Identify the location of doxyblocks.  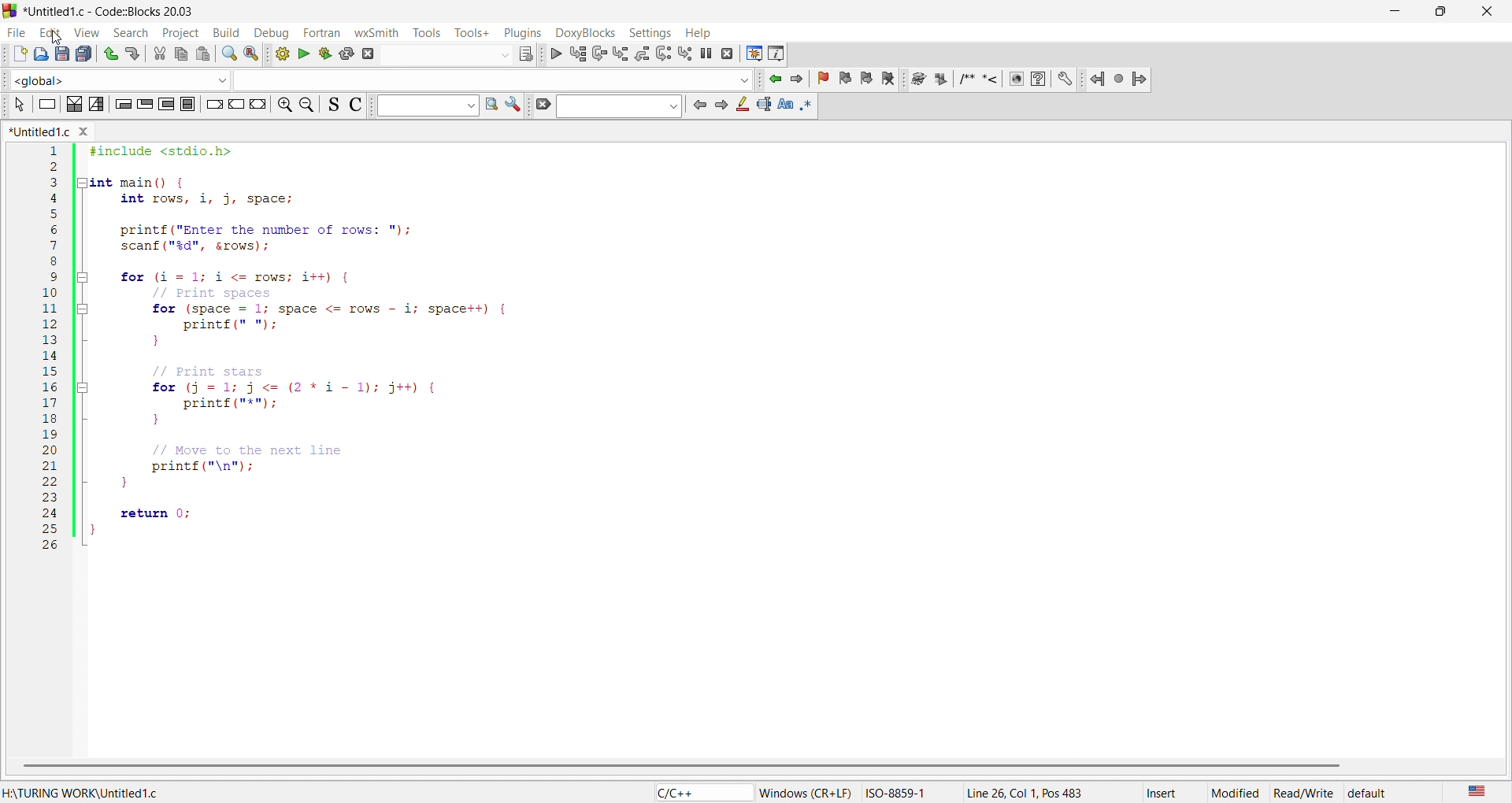
(581, 30).